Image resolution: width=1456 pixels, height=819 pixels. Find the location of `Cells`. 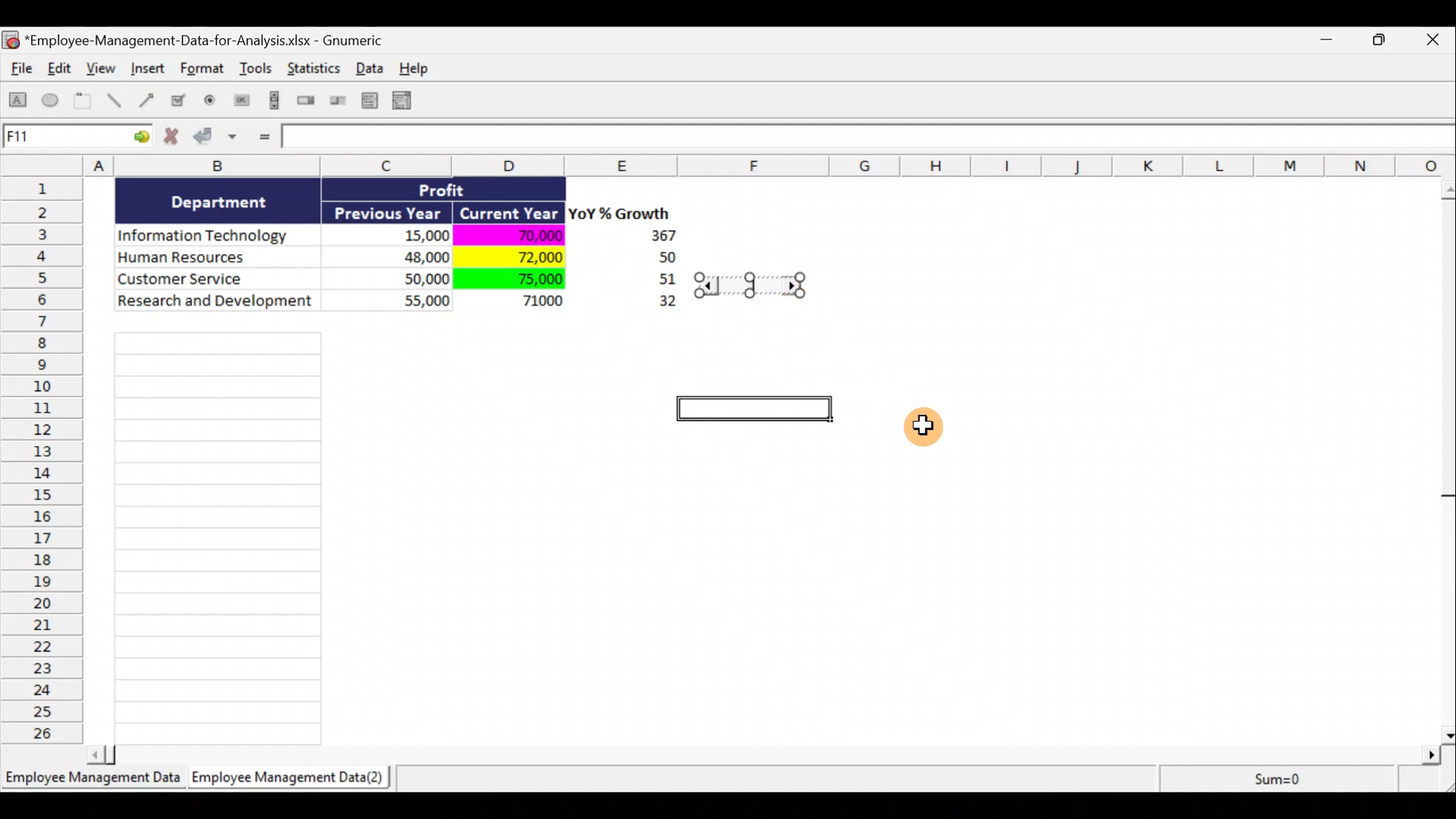

Cells is located at coordinates (218, 534).